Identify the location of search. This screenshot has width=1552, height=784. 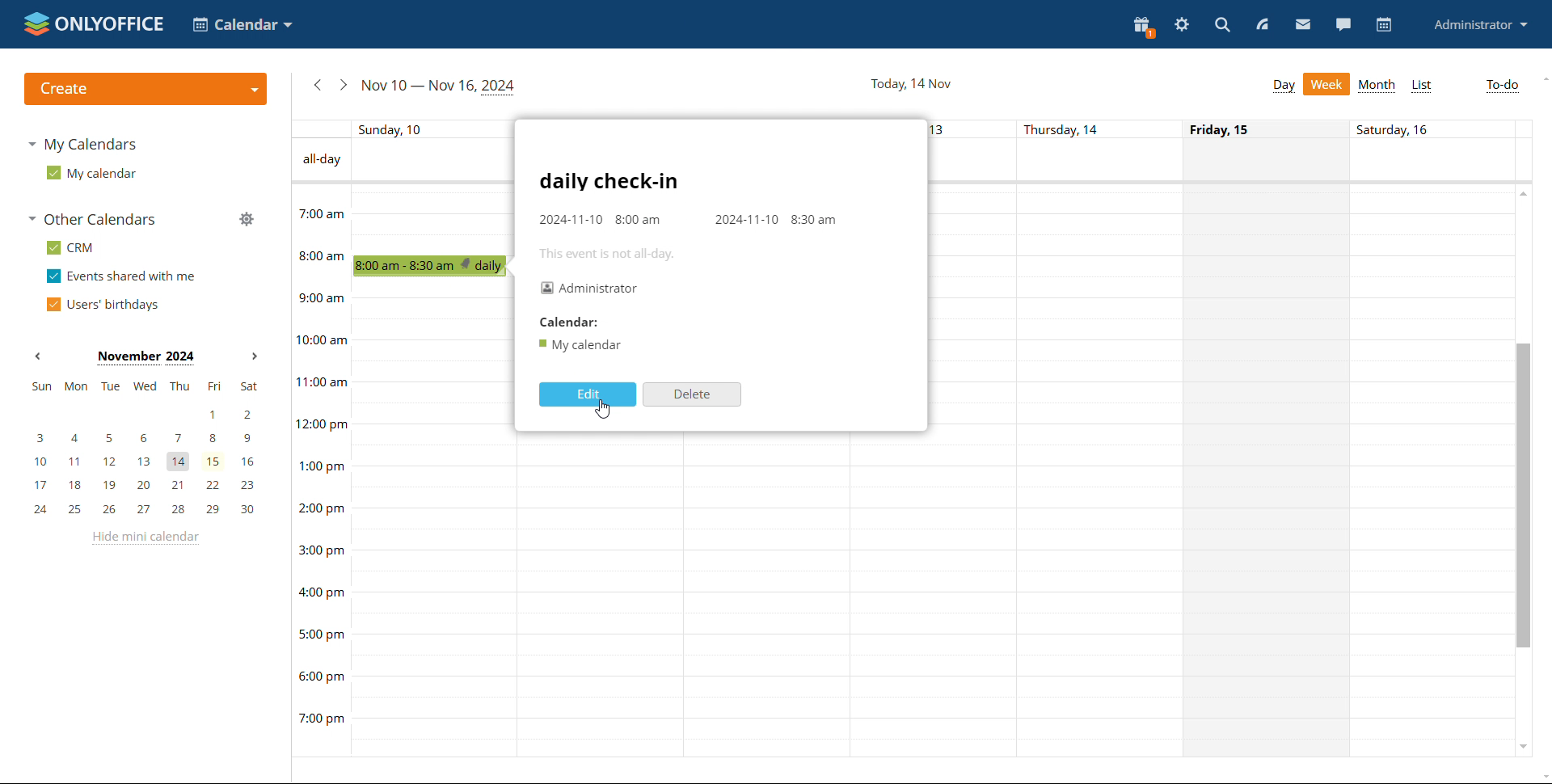
(1222, 24).